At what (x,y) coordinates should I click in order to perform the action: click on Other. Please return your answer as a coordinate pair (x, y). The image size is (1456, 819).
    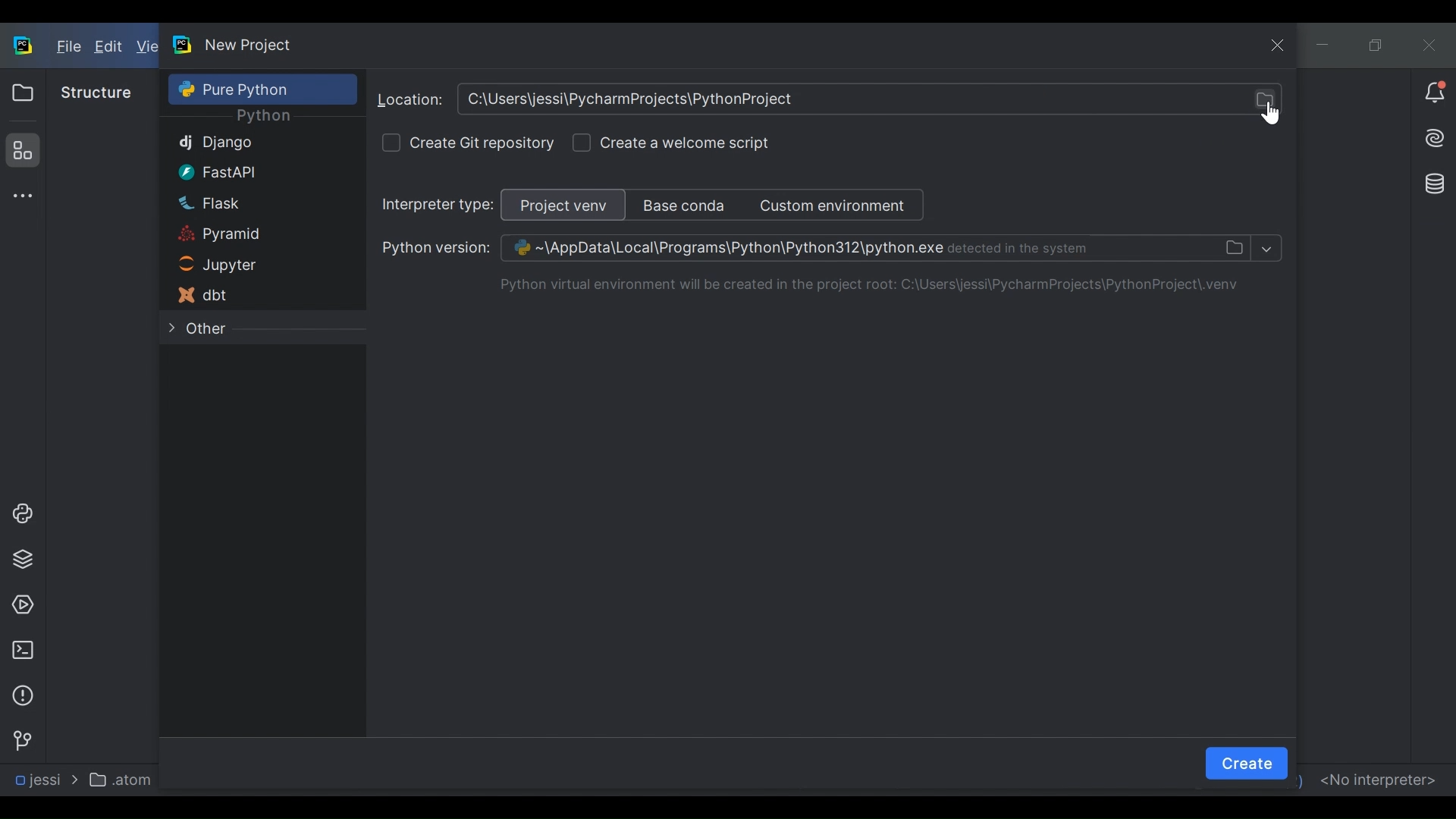
    Looking at the image, I should click on (255, 331).